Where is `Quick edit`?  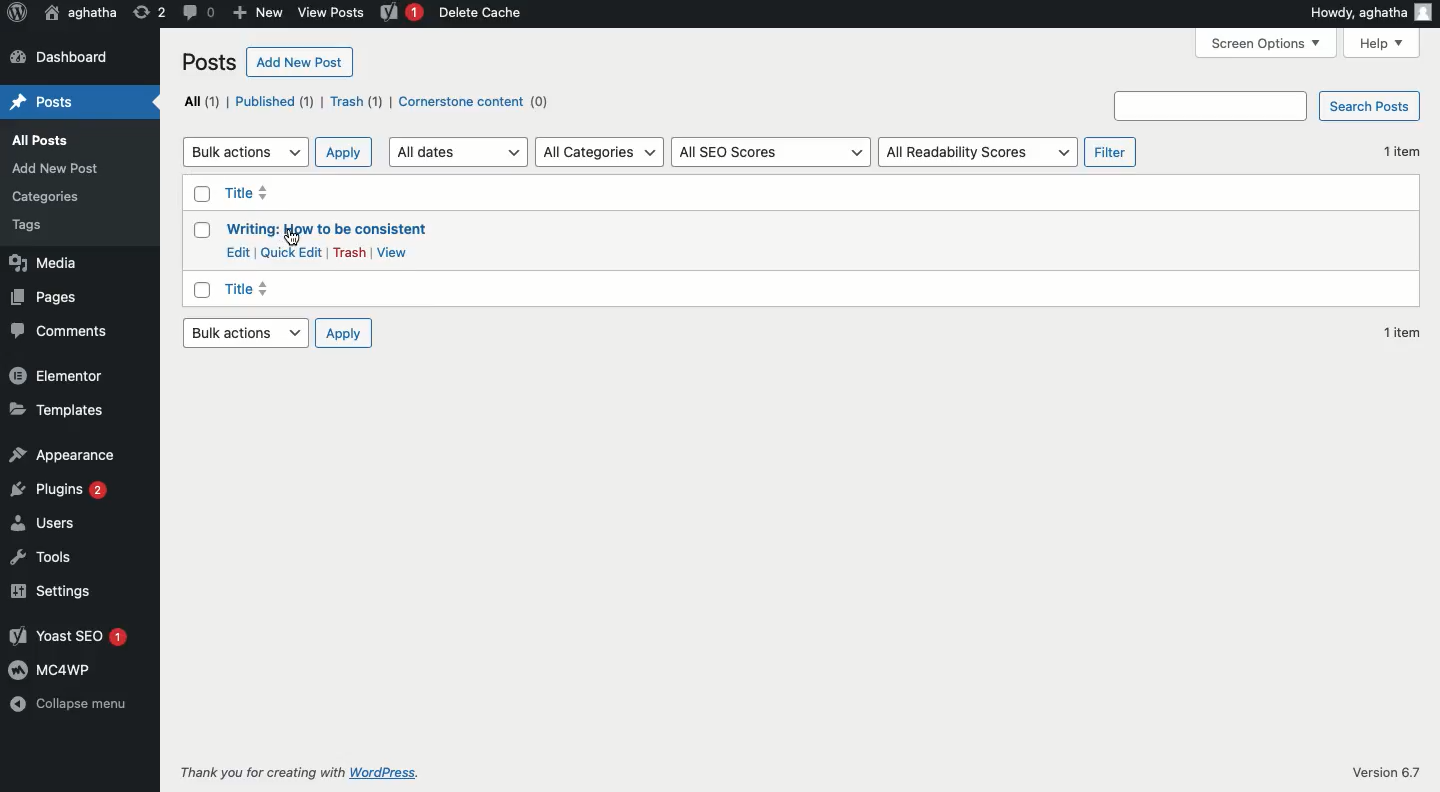
Quick edit is located at coordinates (293, 252).